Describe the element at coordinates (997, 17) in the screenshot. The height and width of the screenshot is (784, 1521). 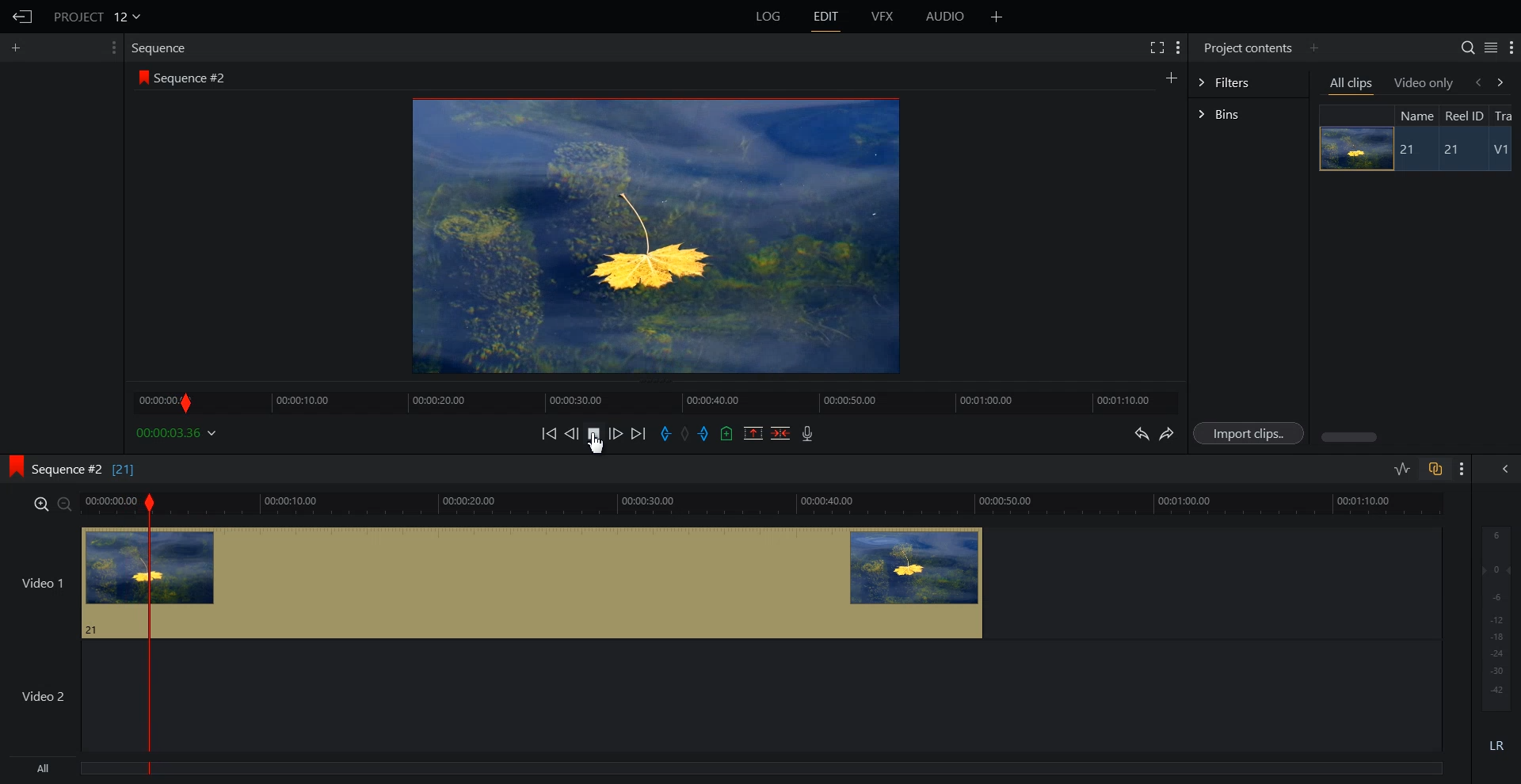
I see `Add panel` at that location.